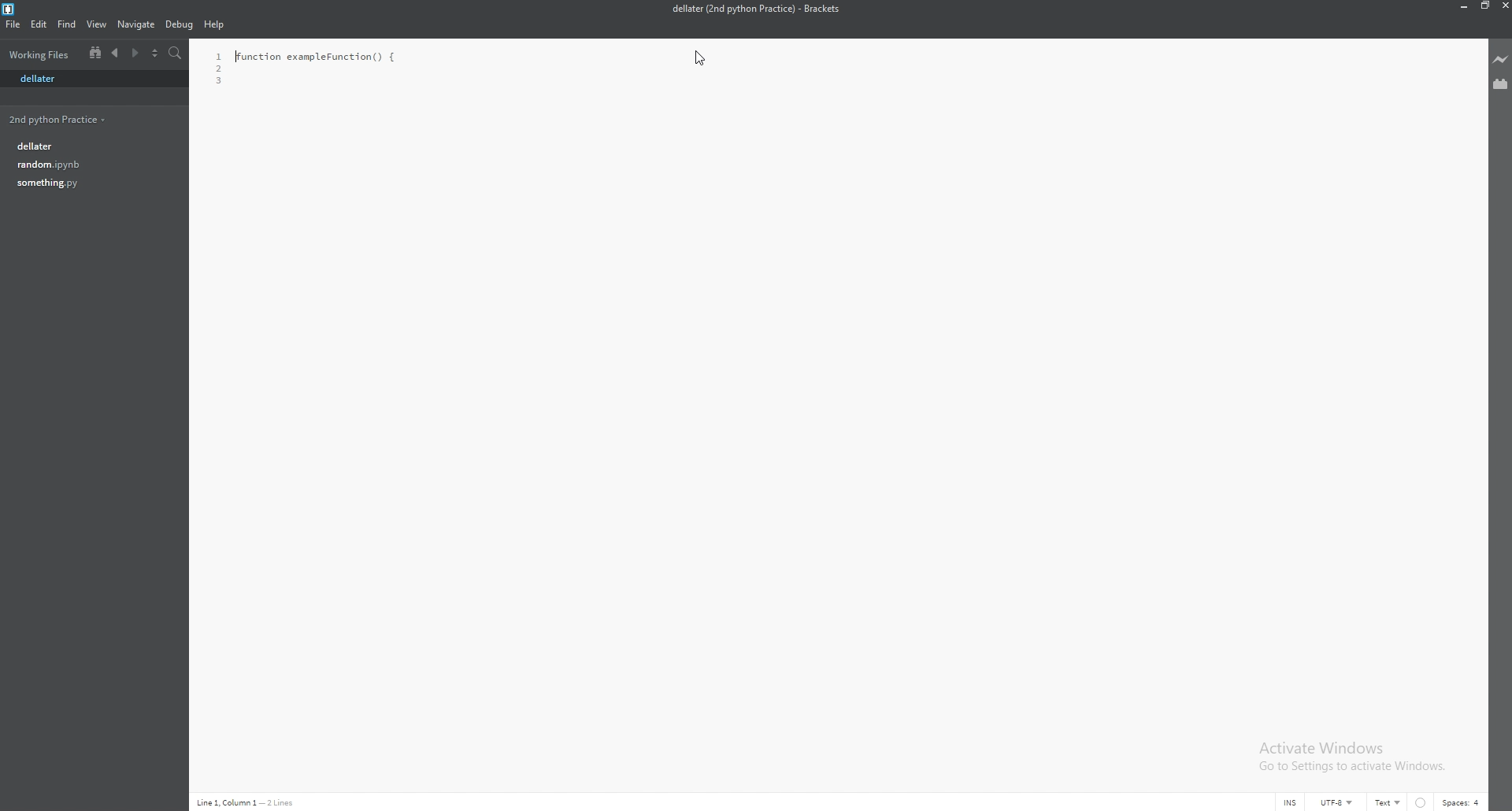  I want to click on utf-8, so click(1337, 802).